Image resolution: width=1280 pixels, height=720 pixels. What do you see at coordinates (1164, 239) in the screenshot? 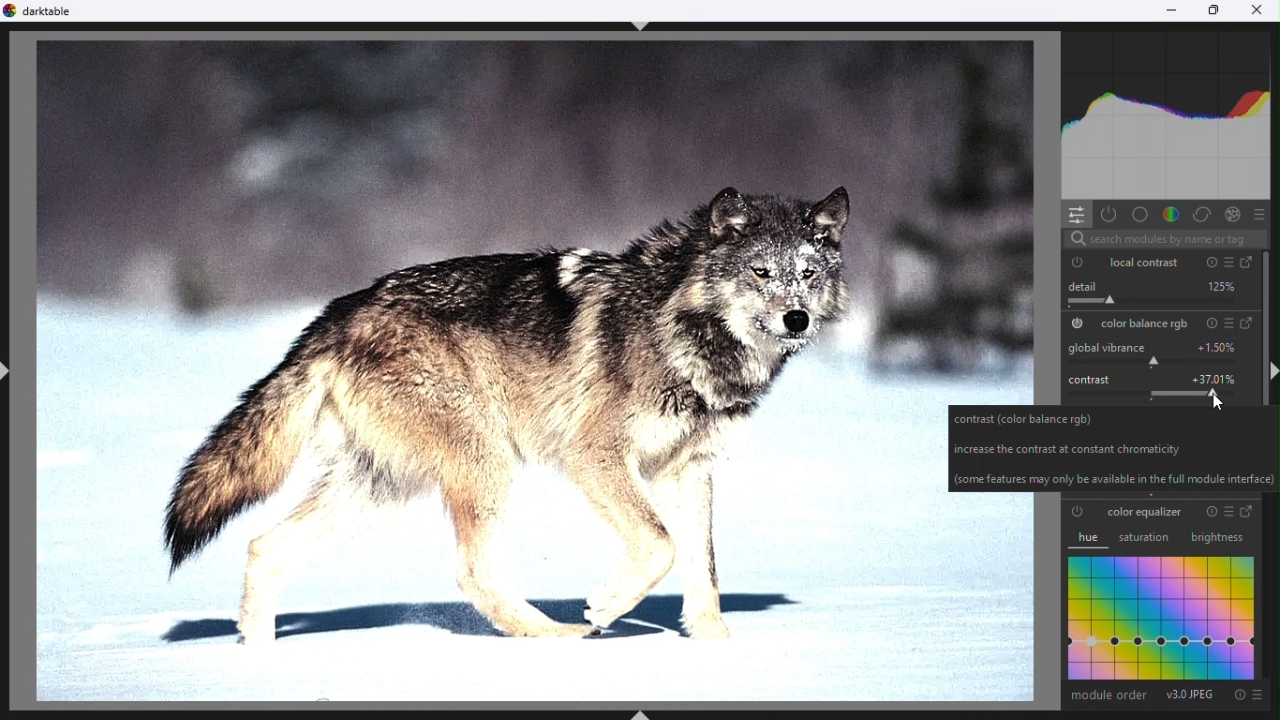
I see `search modules by name or tag` at bounding box center [1164, 239].